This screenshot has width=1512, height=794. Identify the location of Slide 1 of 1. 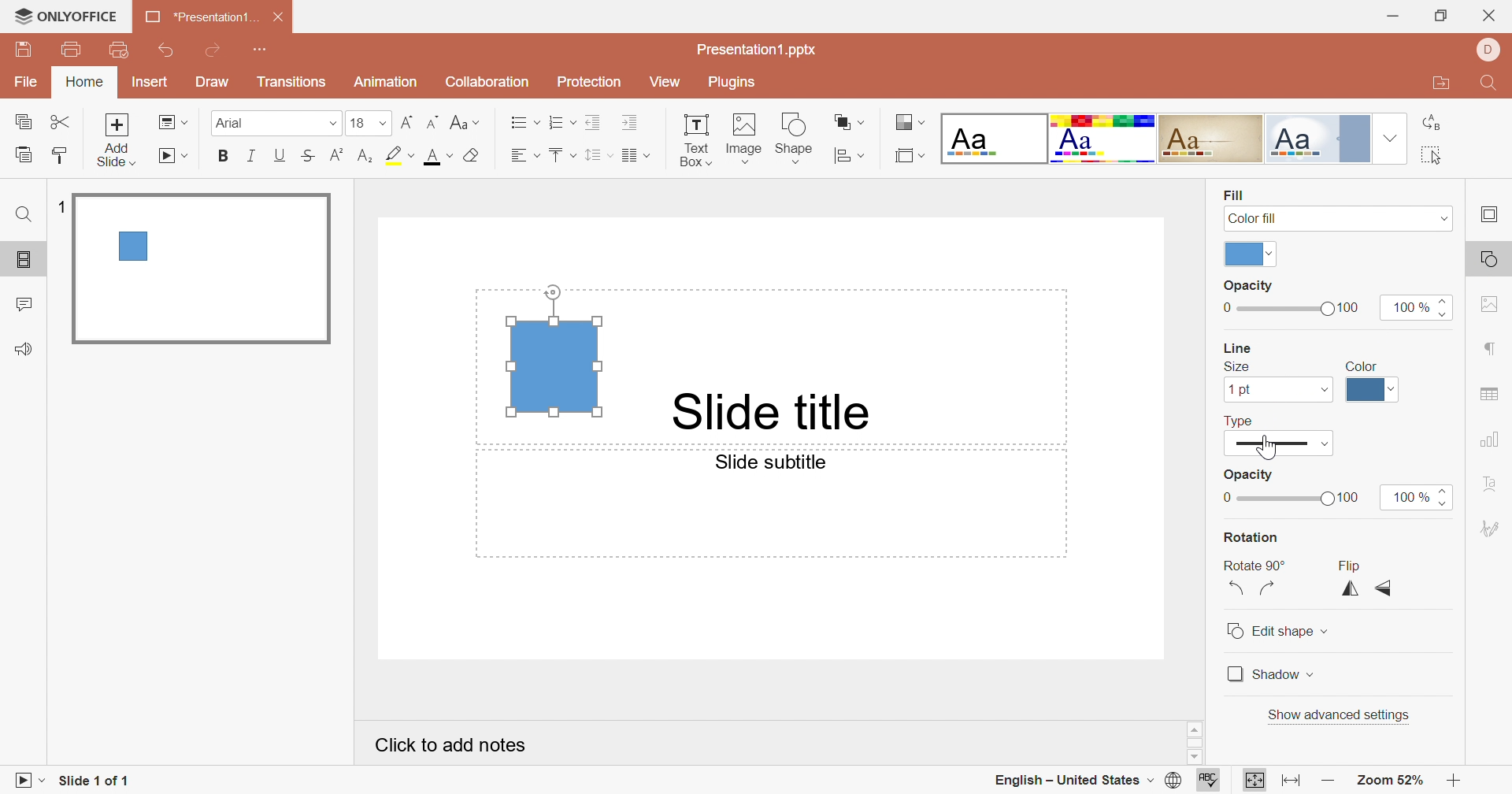
(97, 781).